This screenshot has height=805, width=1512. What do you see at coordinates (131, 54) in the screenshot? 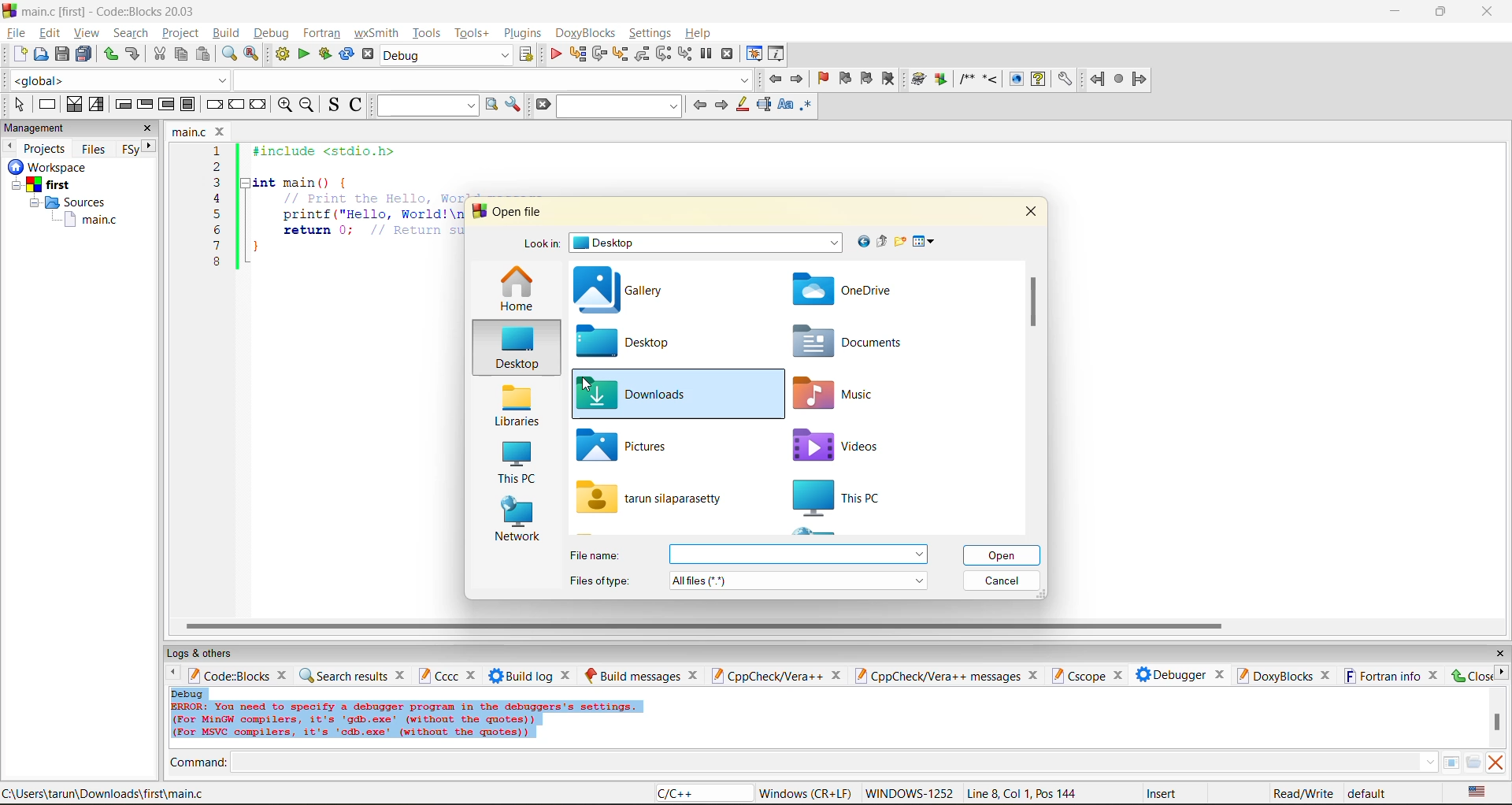
I see `undo` at bounding box center [131, 54].